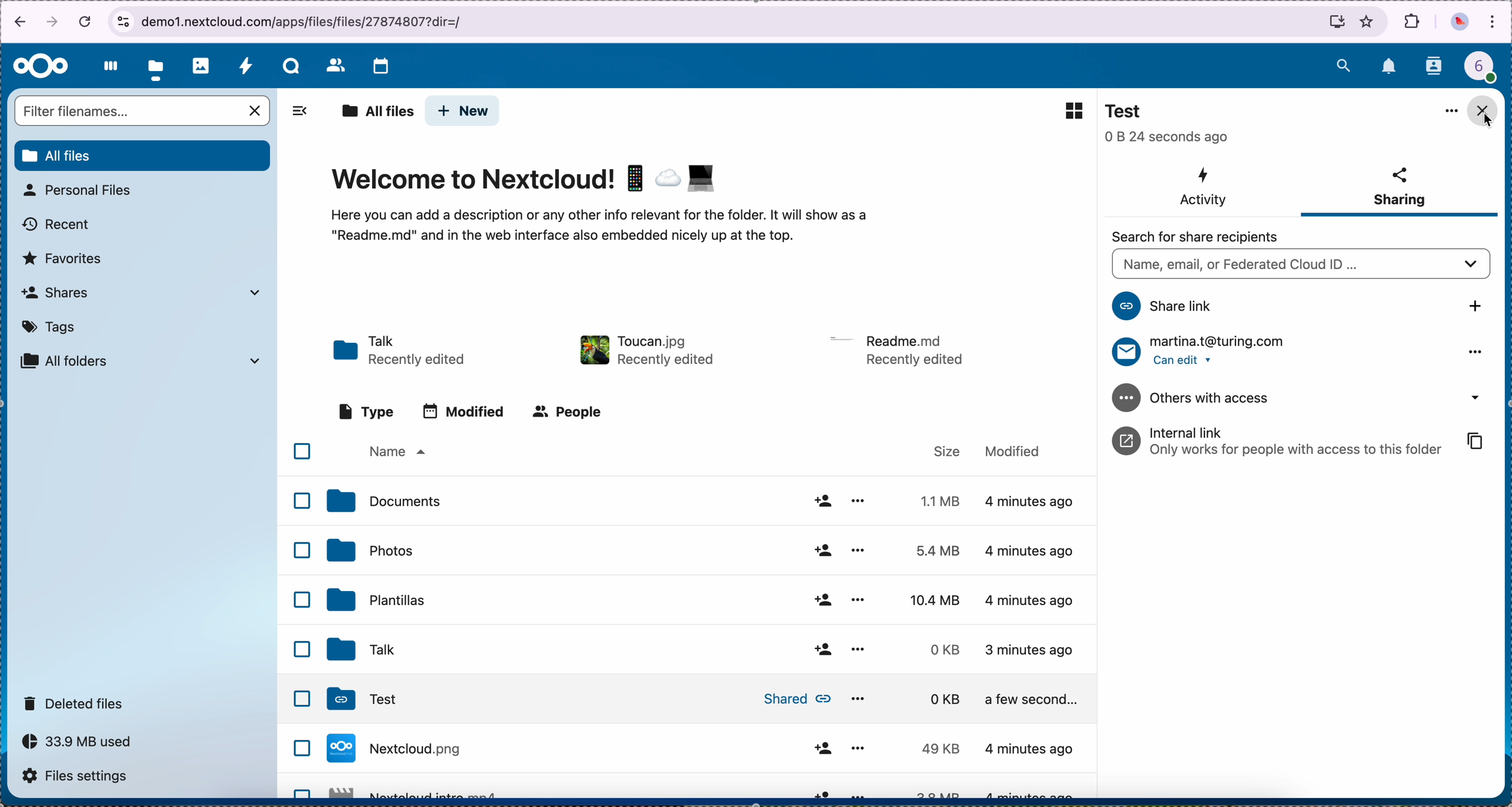 This screenshot has height=807, width=1512. Describe the element at coordinates (899, 349) in the screenshot. I see `file` at that location.